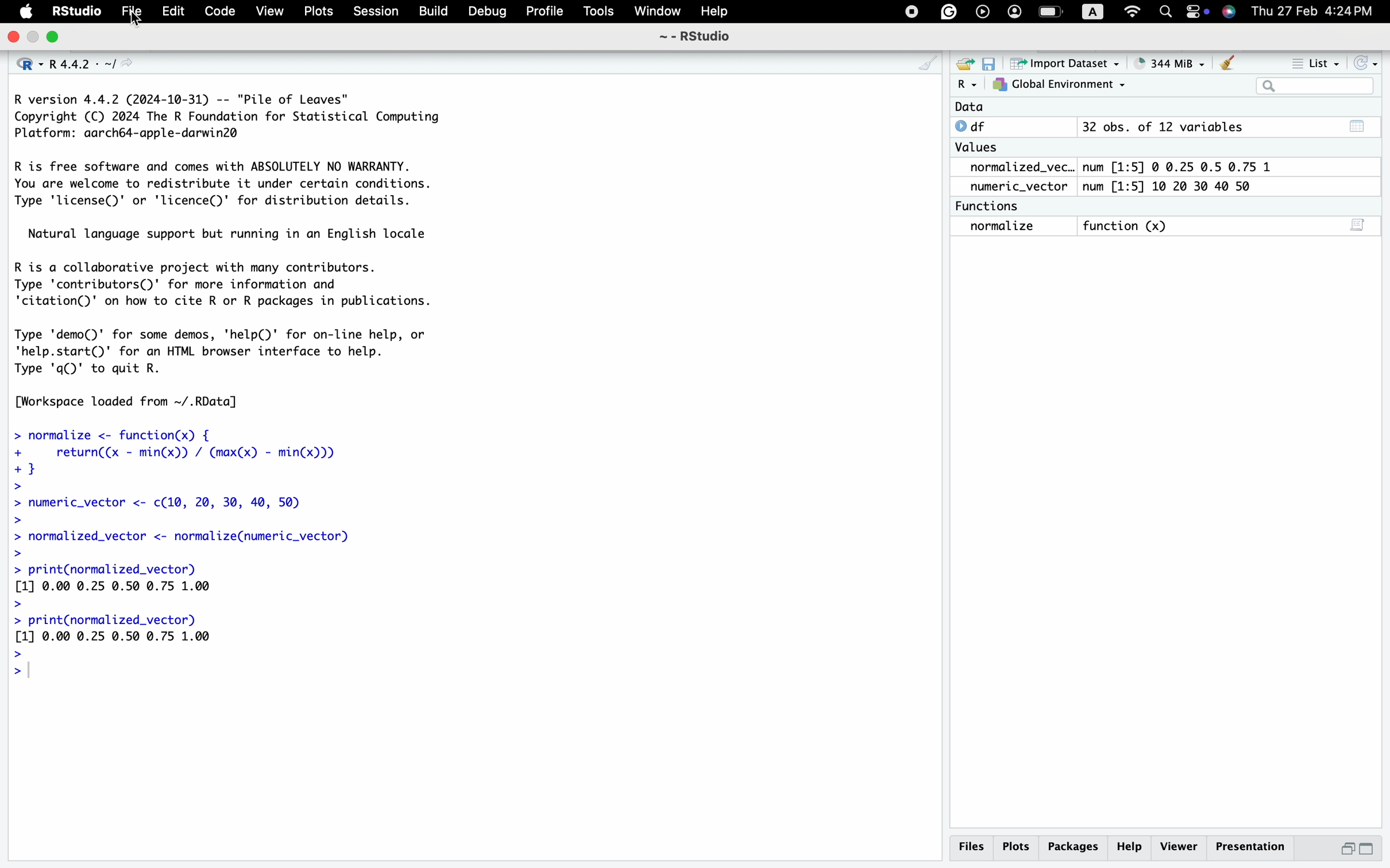  What do you see at coordinates (945, 11) in the screenshot?
I see `google drive` at bounding box center [945, 11].